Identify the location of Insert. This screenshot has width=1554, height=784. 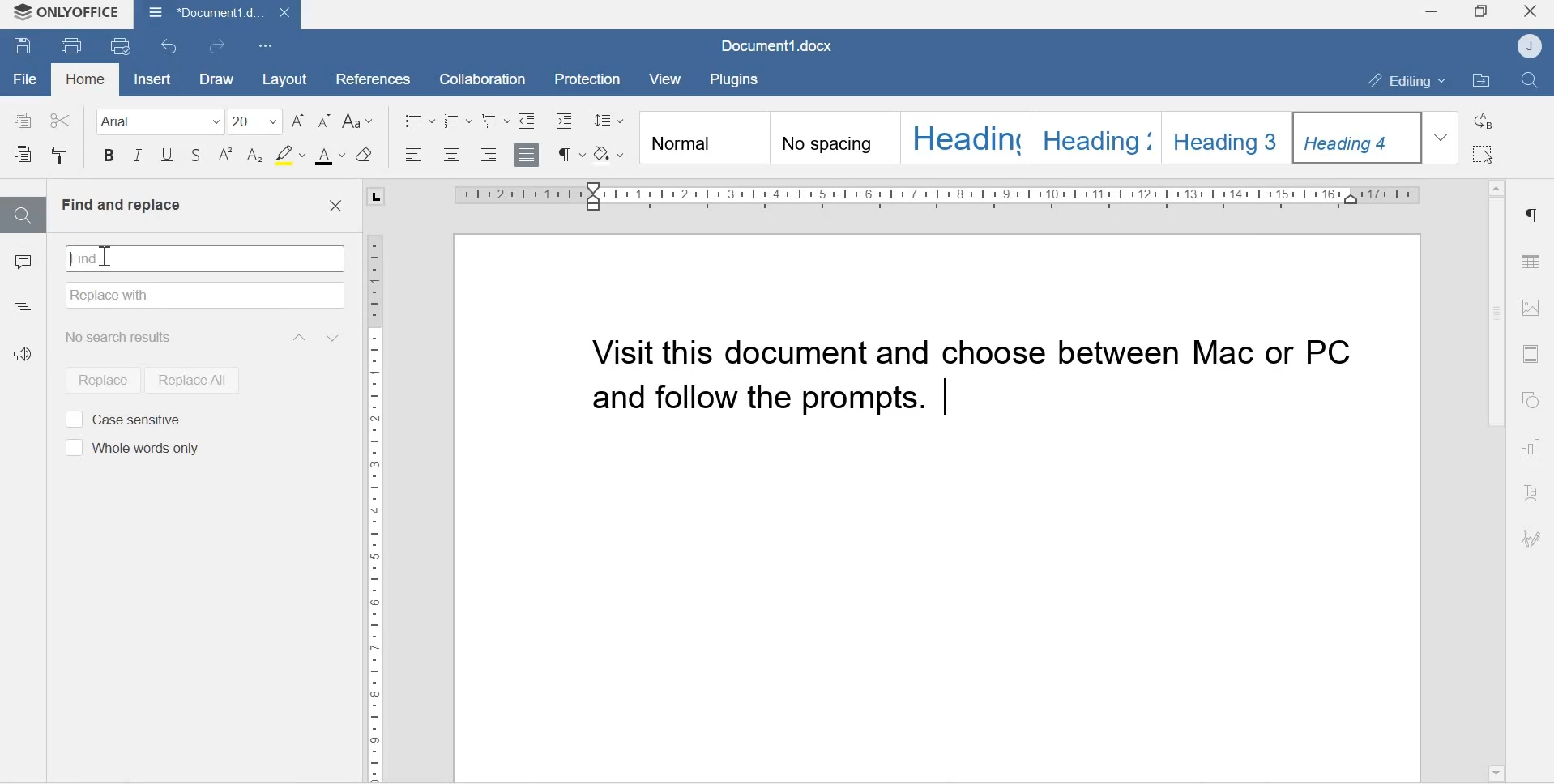
(150, 79).